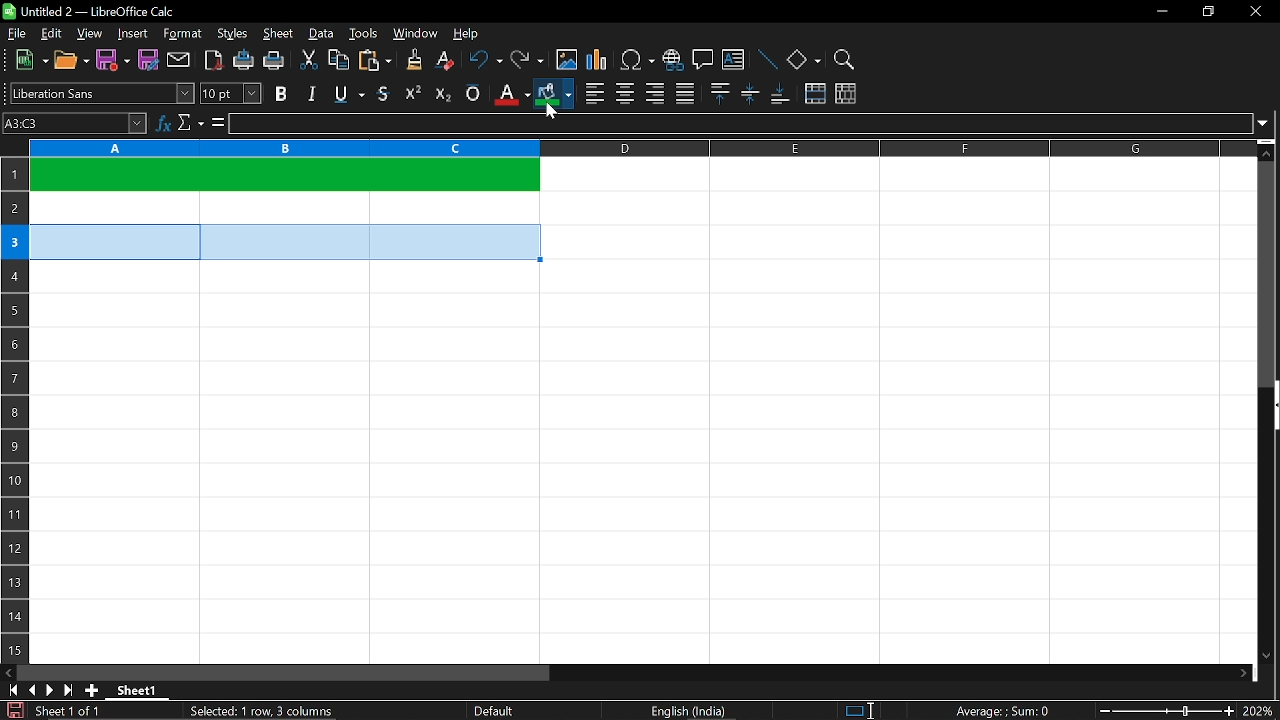 This screenshot has height=720, width=1280. Describe the element at coordinates (860, 711) in the screenshot. I see `standard selection` at that location.